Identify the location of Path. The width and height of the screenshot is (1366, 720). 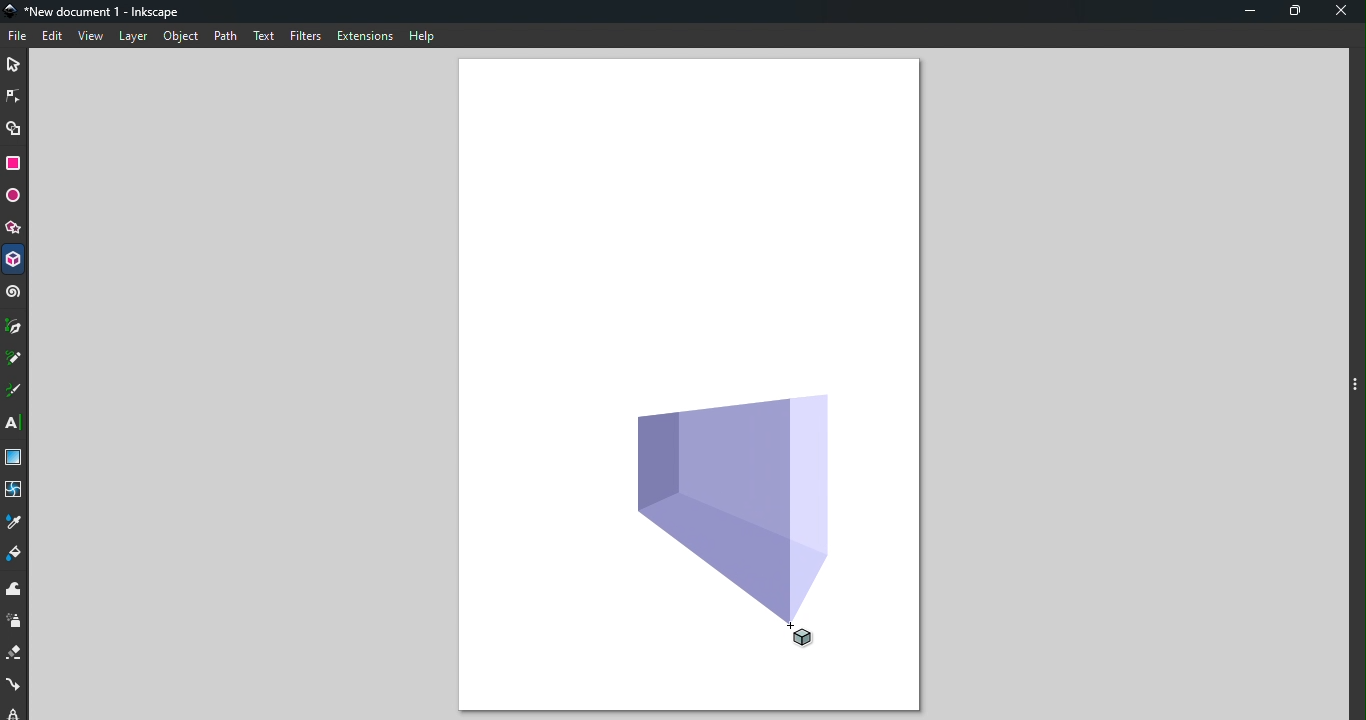
(226, 36).